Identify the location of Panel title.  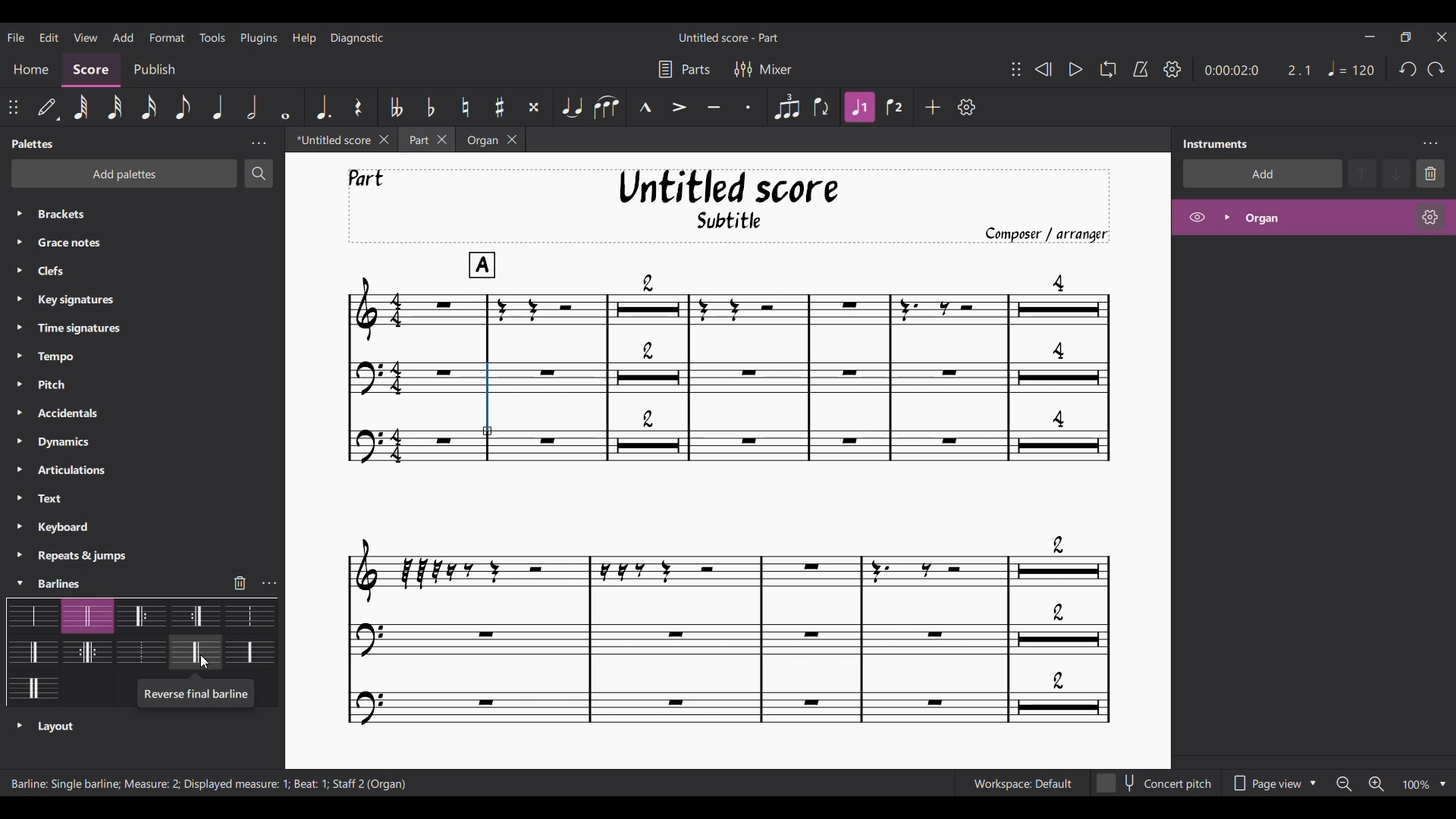
(1216, 144).